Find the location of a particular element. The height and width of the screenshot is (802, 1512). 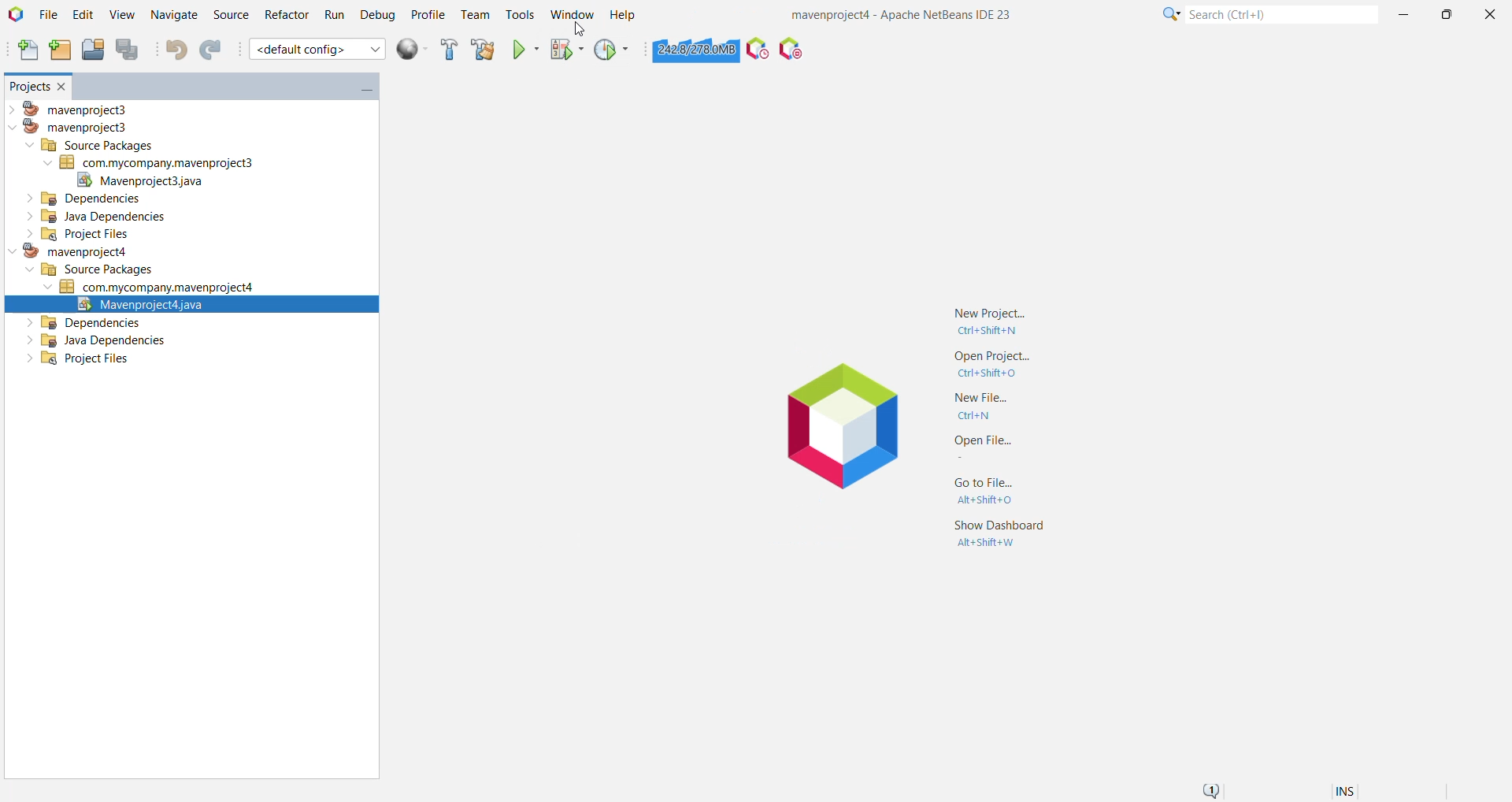

Application Logo is located at coordinates (845, 436).